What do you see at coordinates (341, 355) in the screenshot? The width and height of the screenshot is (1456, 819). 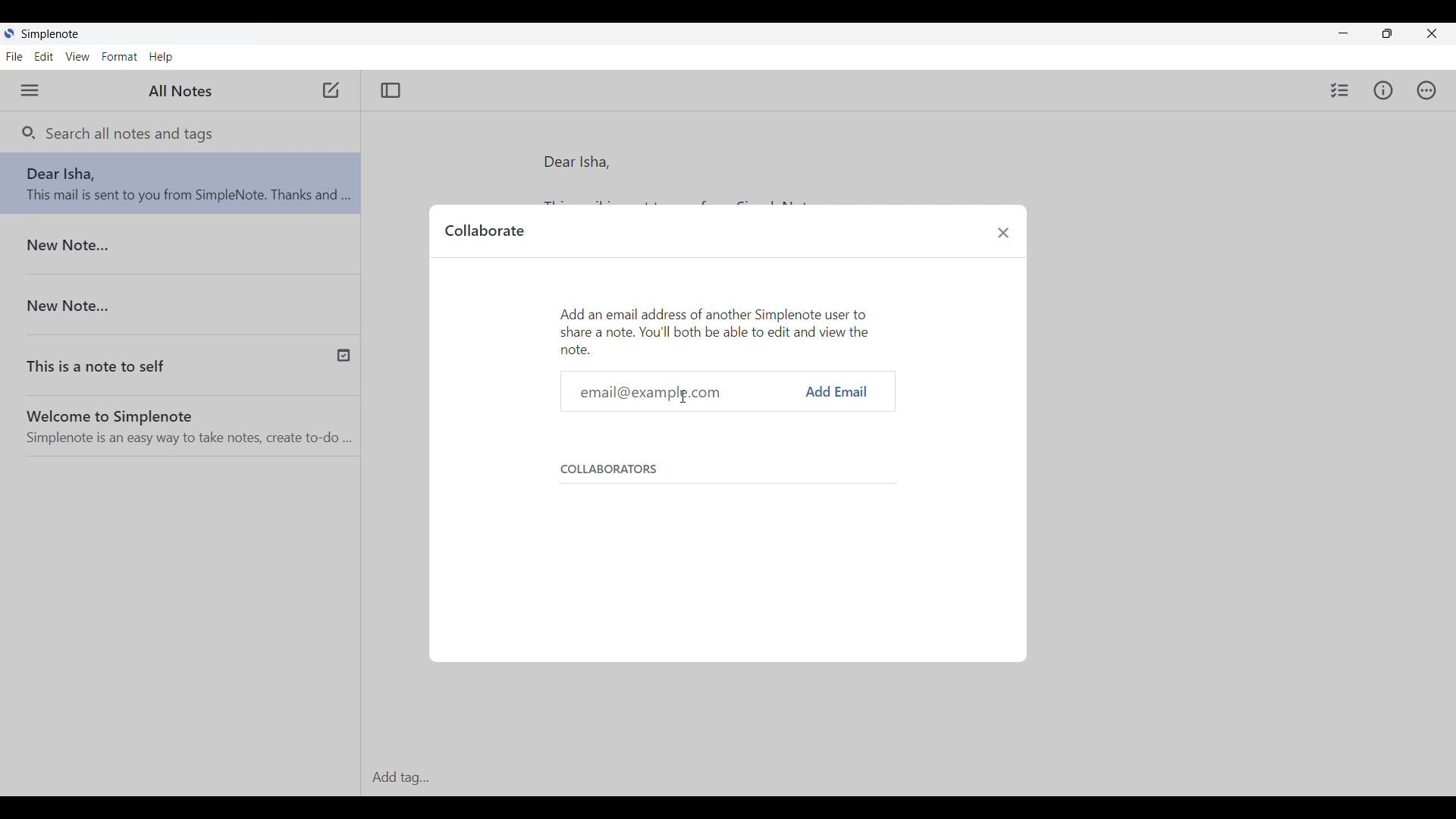 I see `Publish` at bounding box center [341, 355].